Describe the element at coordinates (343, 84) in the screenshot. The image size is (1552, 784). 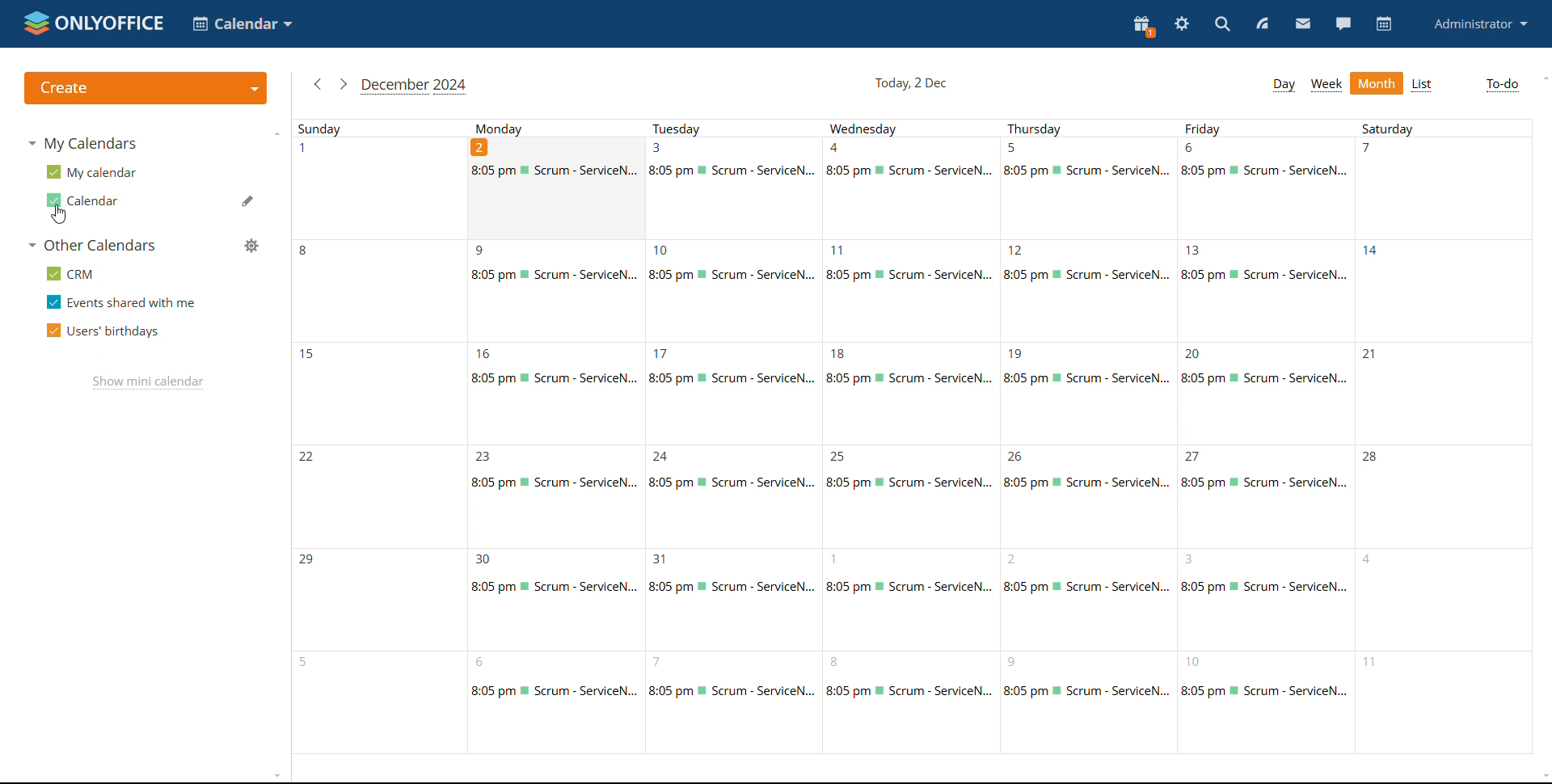
I see `next month` at that location.